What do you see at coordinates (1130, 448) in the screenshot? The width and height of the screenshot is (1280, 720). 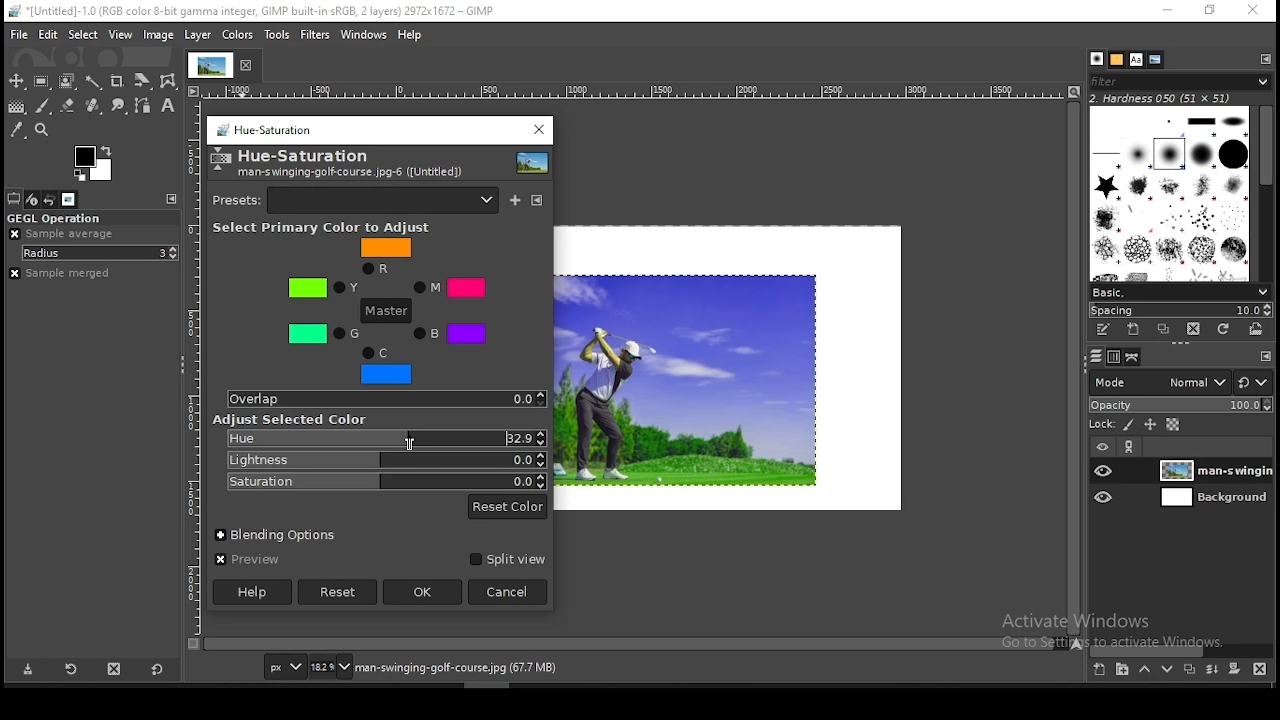 I see `link` at bounding box center [1130, 448].